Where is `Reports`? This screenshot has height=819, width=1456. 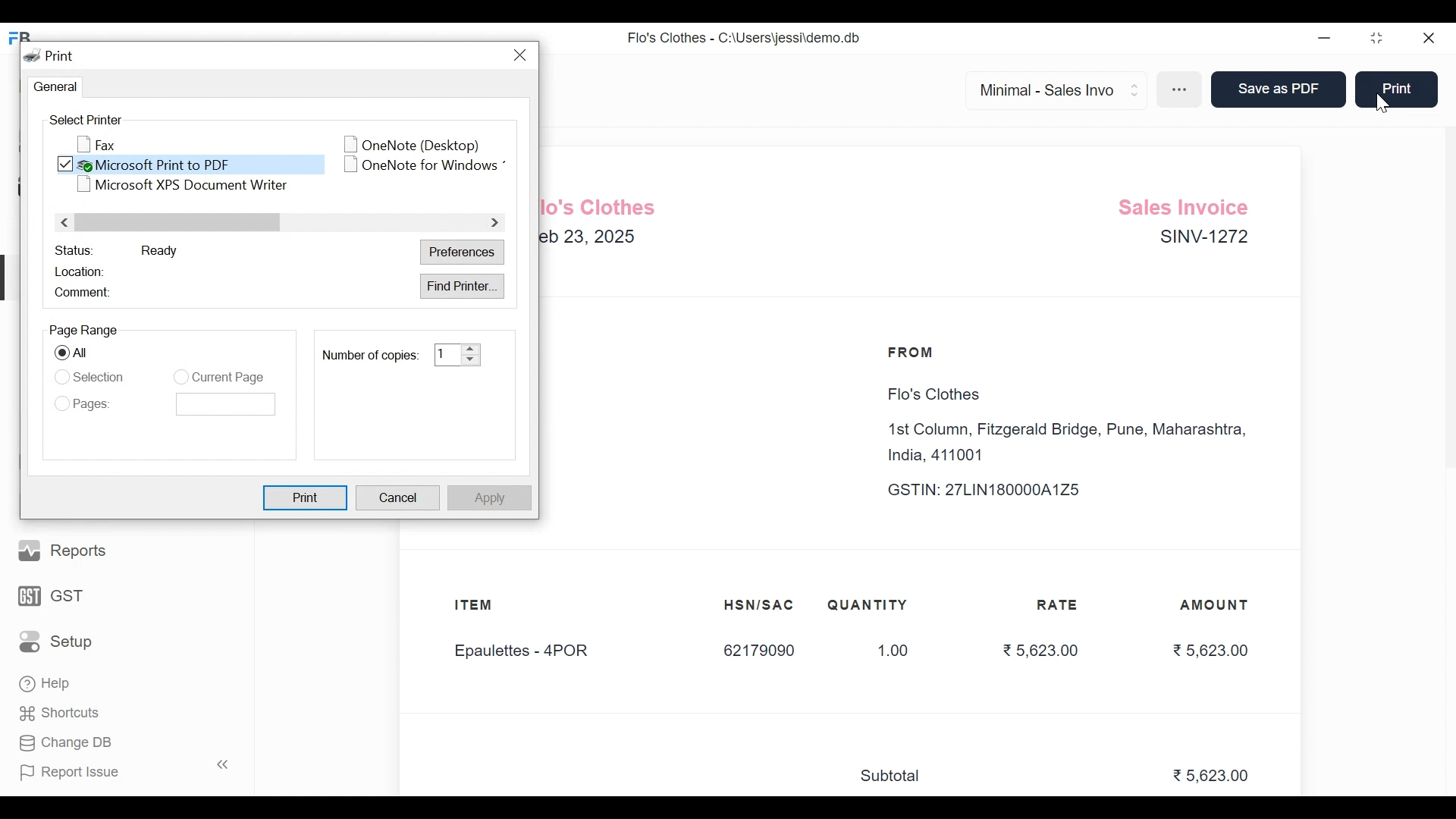
Reports is located at coordinates (64, 549).